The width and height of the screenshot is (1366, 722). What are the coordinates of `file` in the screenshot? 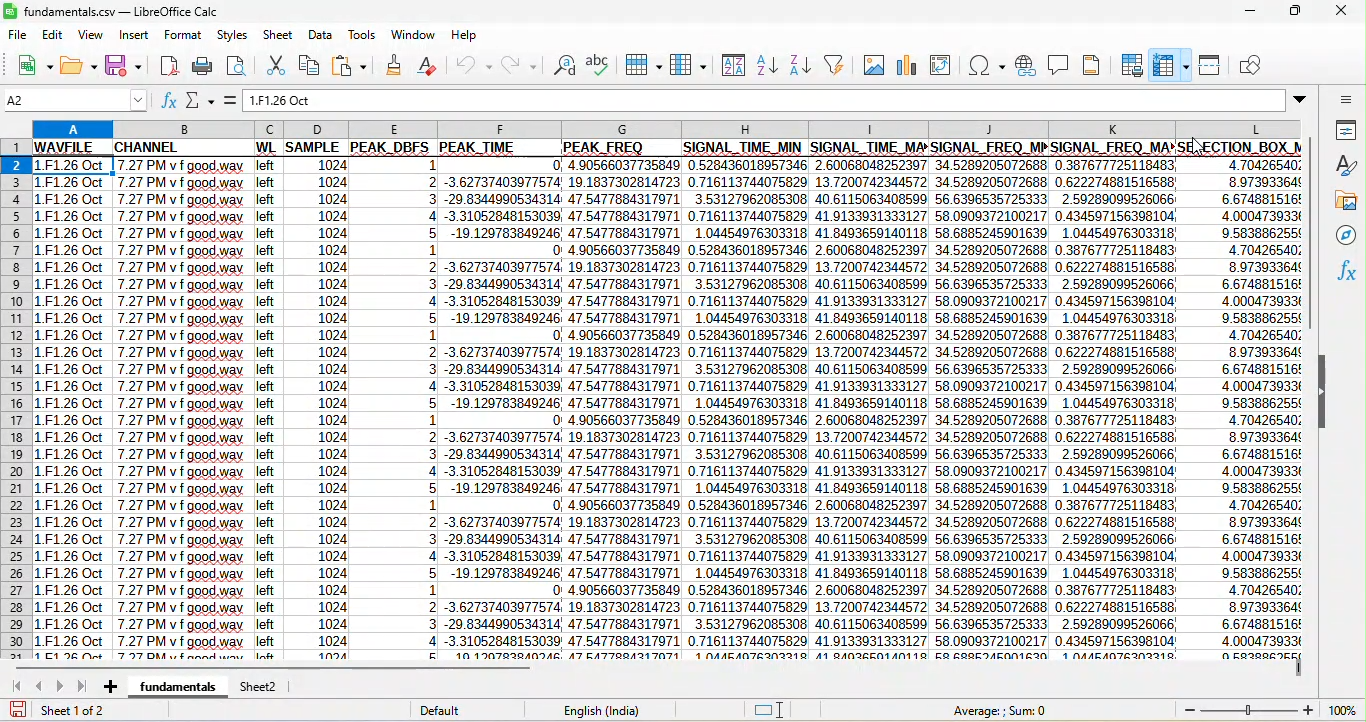 It's located at (18, 36).